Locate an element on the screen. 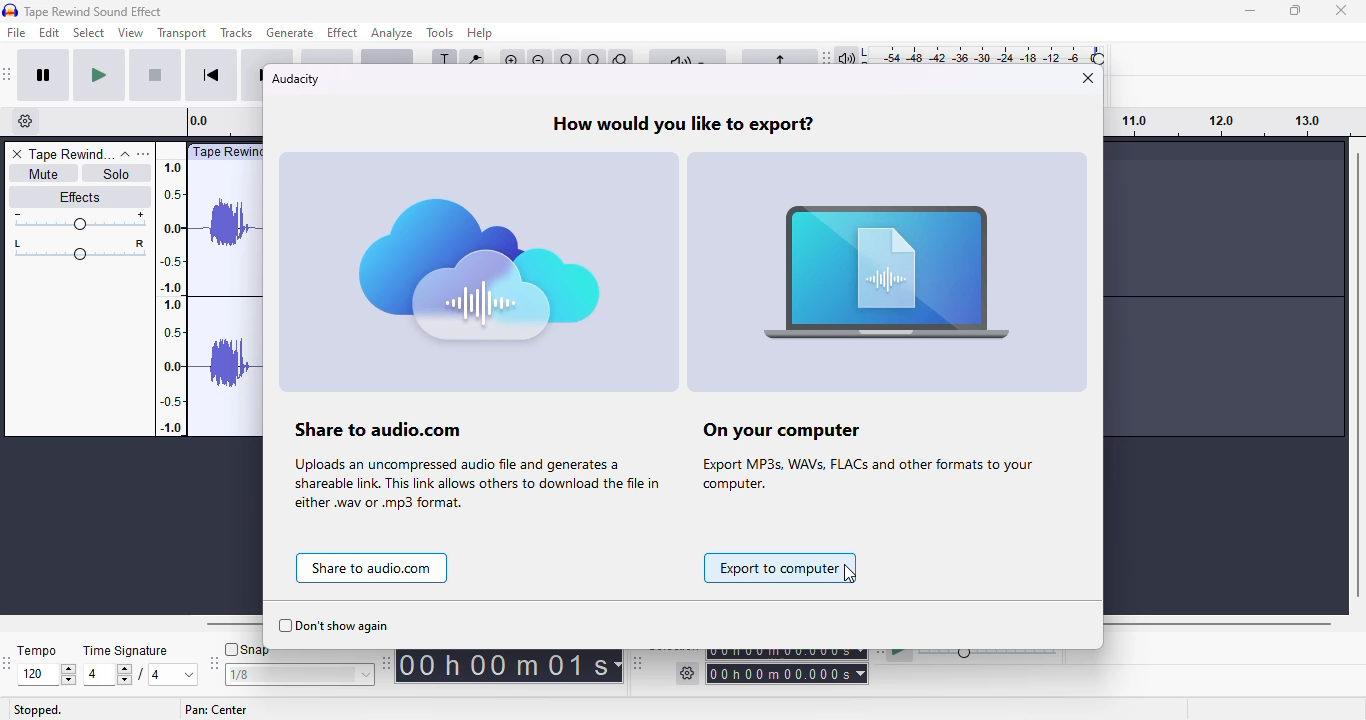 This screenshot has width=1366, height=720. Export MP3s, WAVs, FLACs and other formats to your computer. is located at coordinates (863, 477).